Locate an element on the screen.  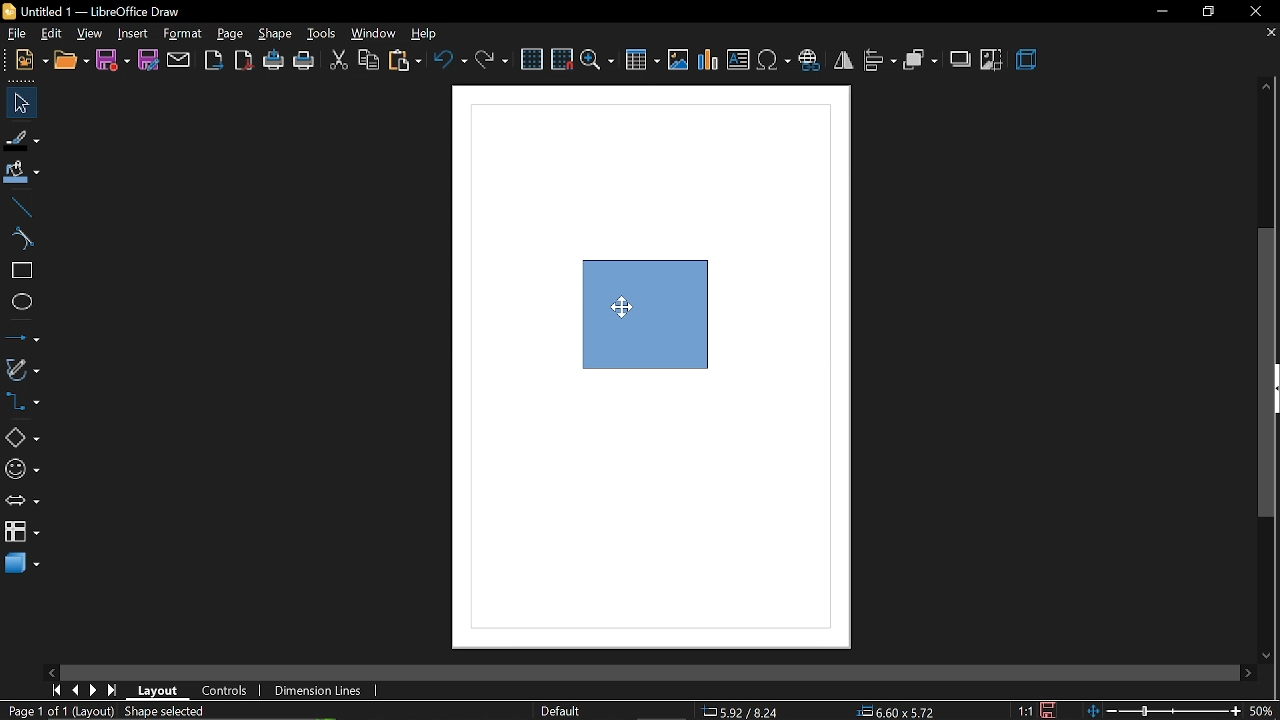
lines and arrows is located at coordinates (23, 338).